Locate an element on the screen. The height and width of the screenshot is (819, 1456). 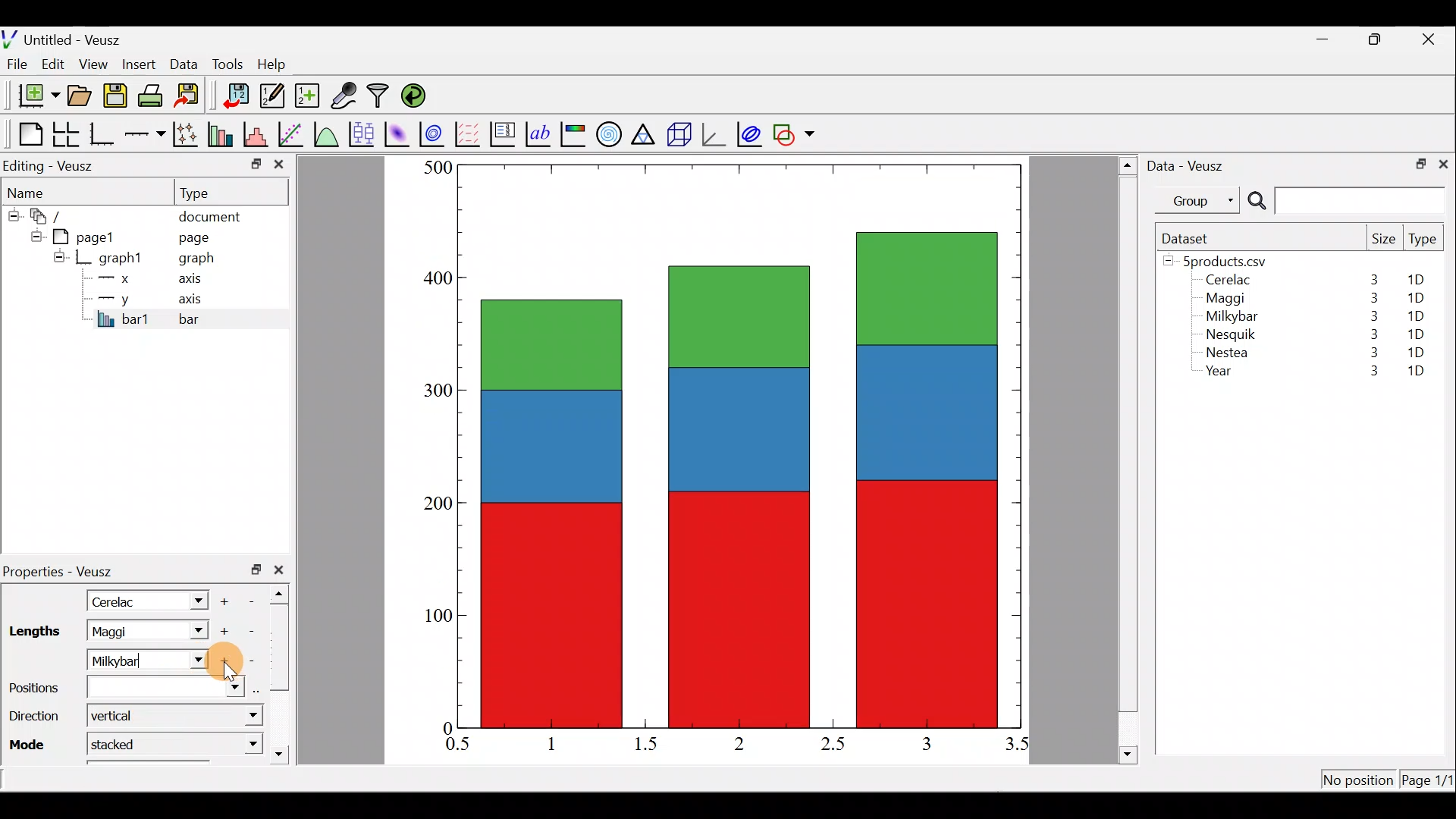
3 is located at coordinates (1373, 279).